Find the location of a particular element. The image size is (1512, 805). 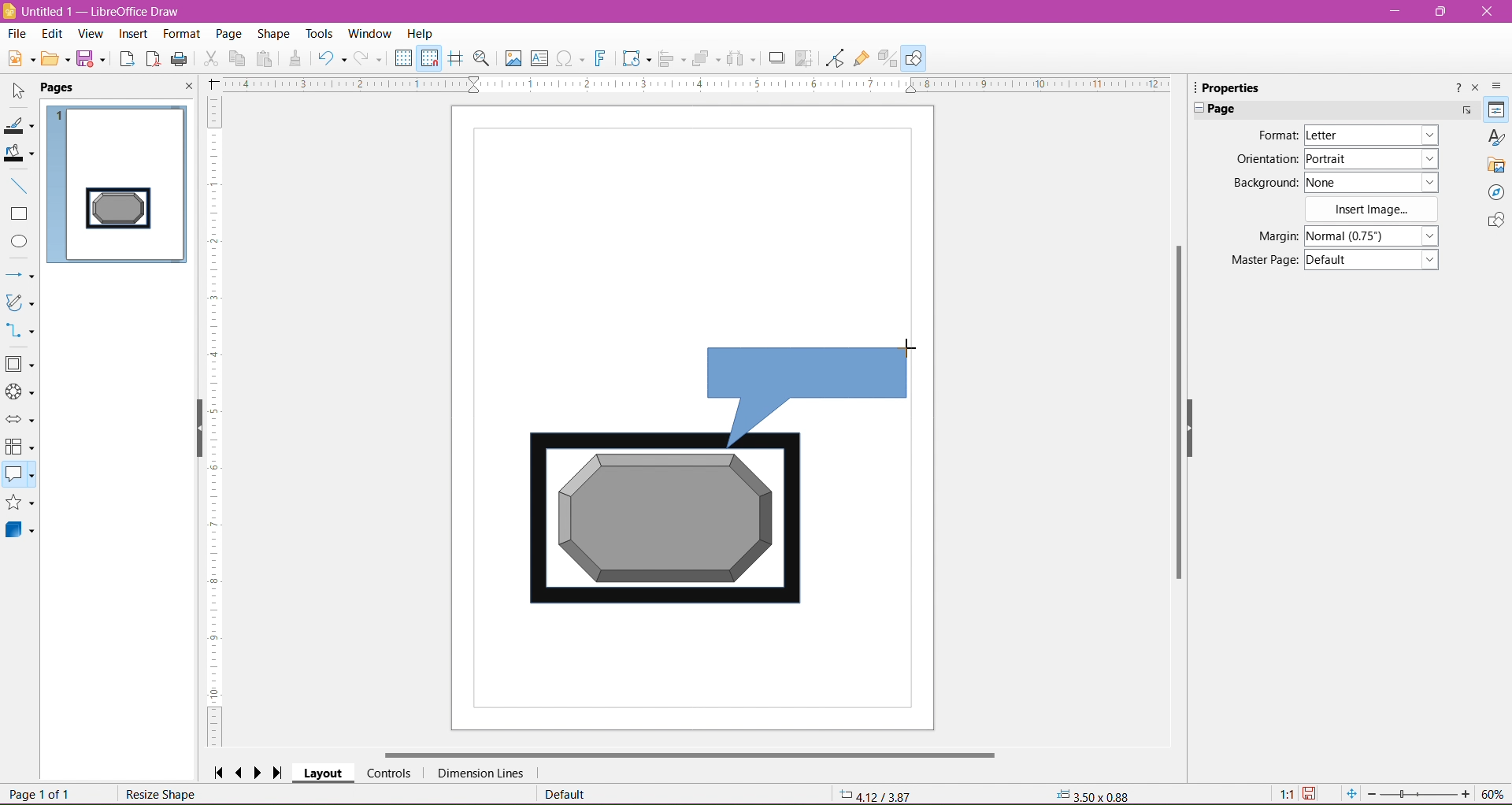

Tools is located at coordinates (314, 32).